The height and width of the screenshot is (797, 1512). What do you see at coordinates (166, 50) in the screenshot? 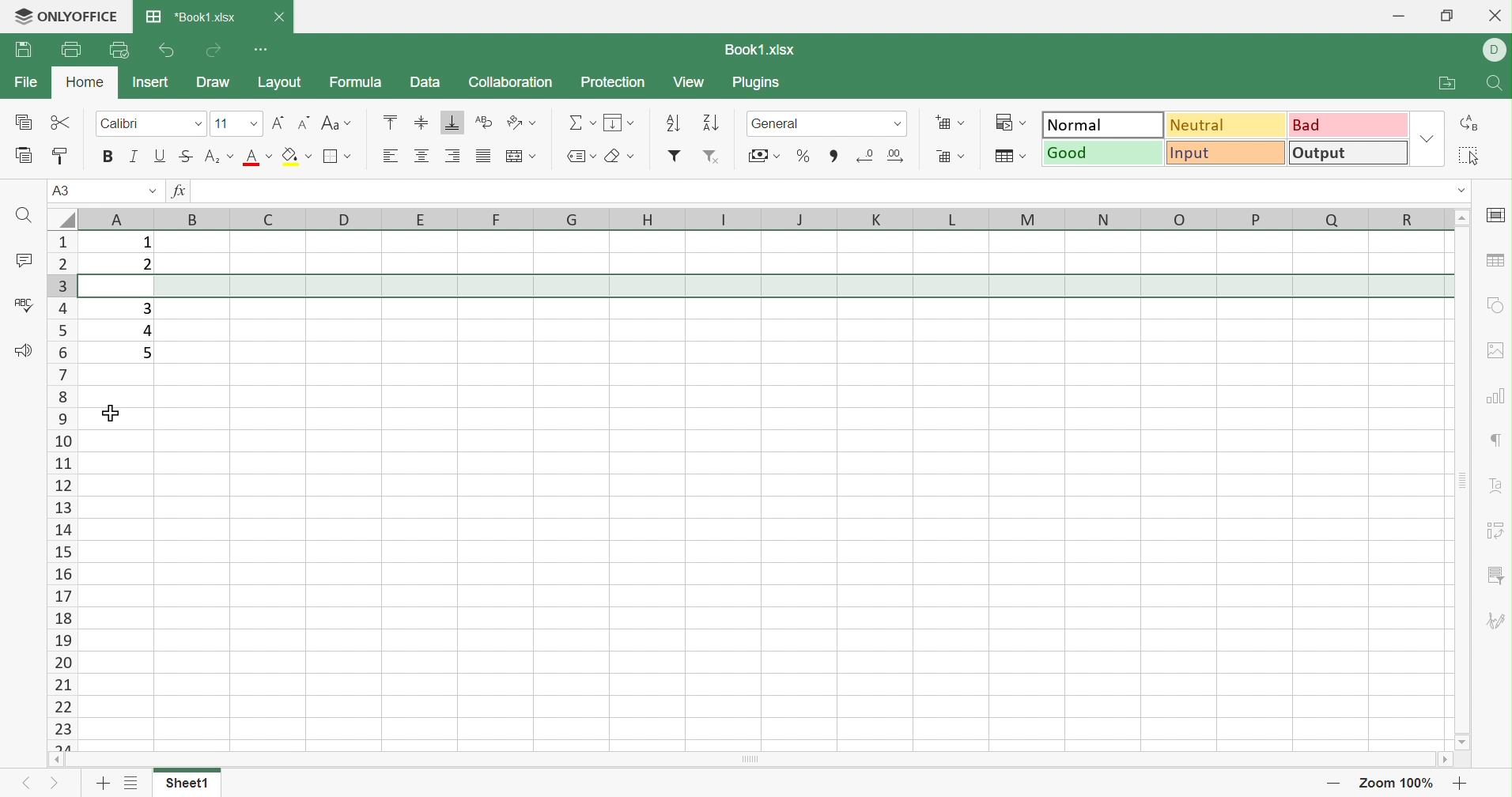
I see `Undo` at bounding box center [166, 50].